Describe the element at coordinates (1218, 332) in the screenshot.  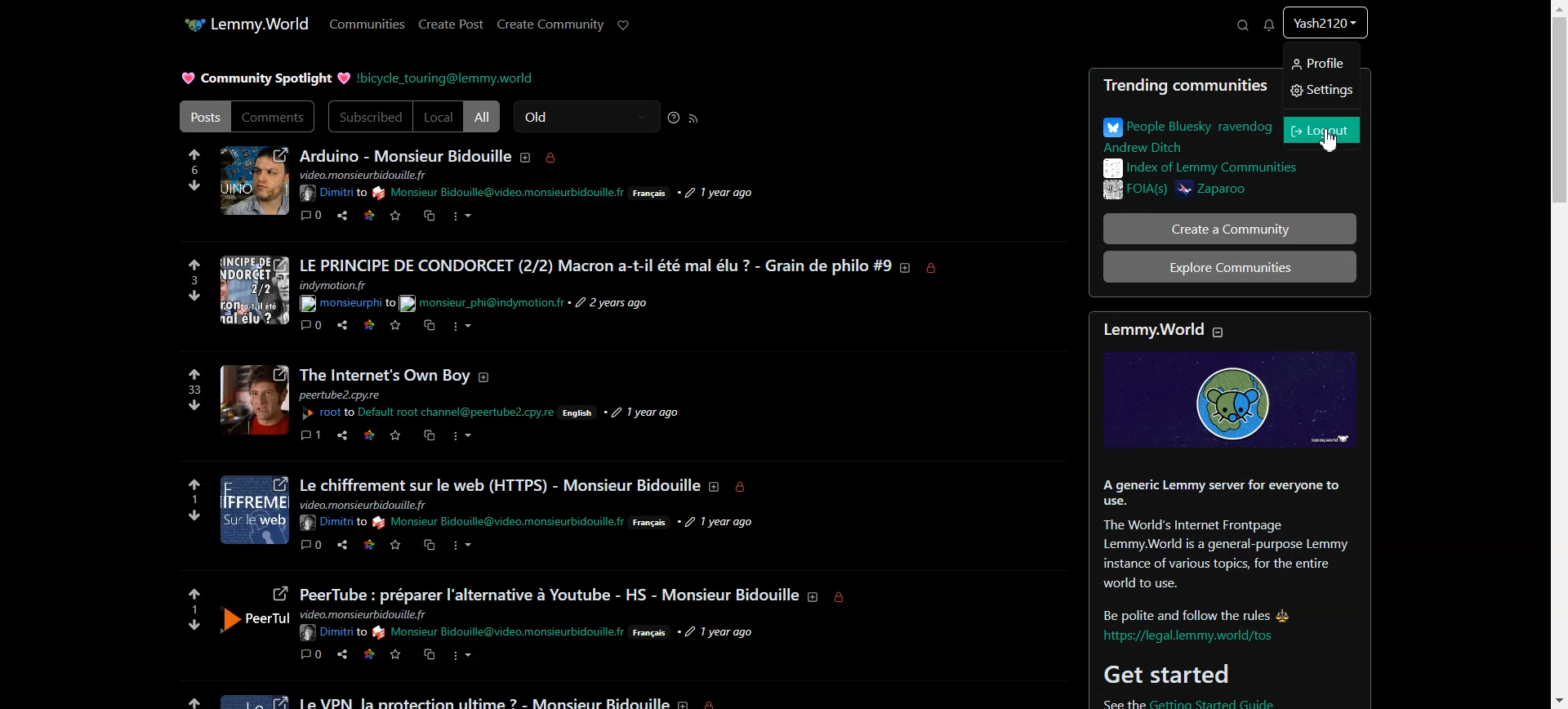
I see `Collapse` at that location.